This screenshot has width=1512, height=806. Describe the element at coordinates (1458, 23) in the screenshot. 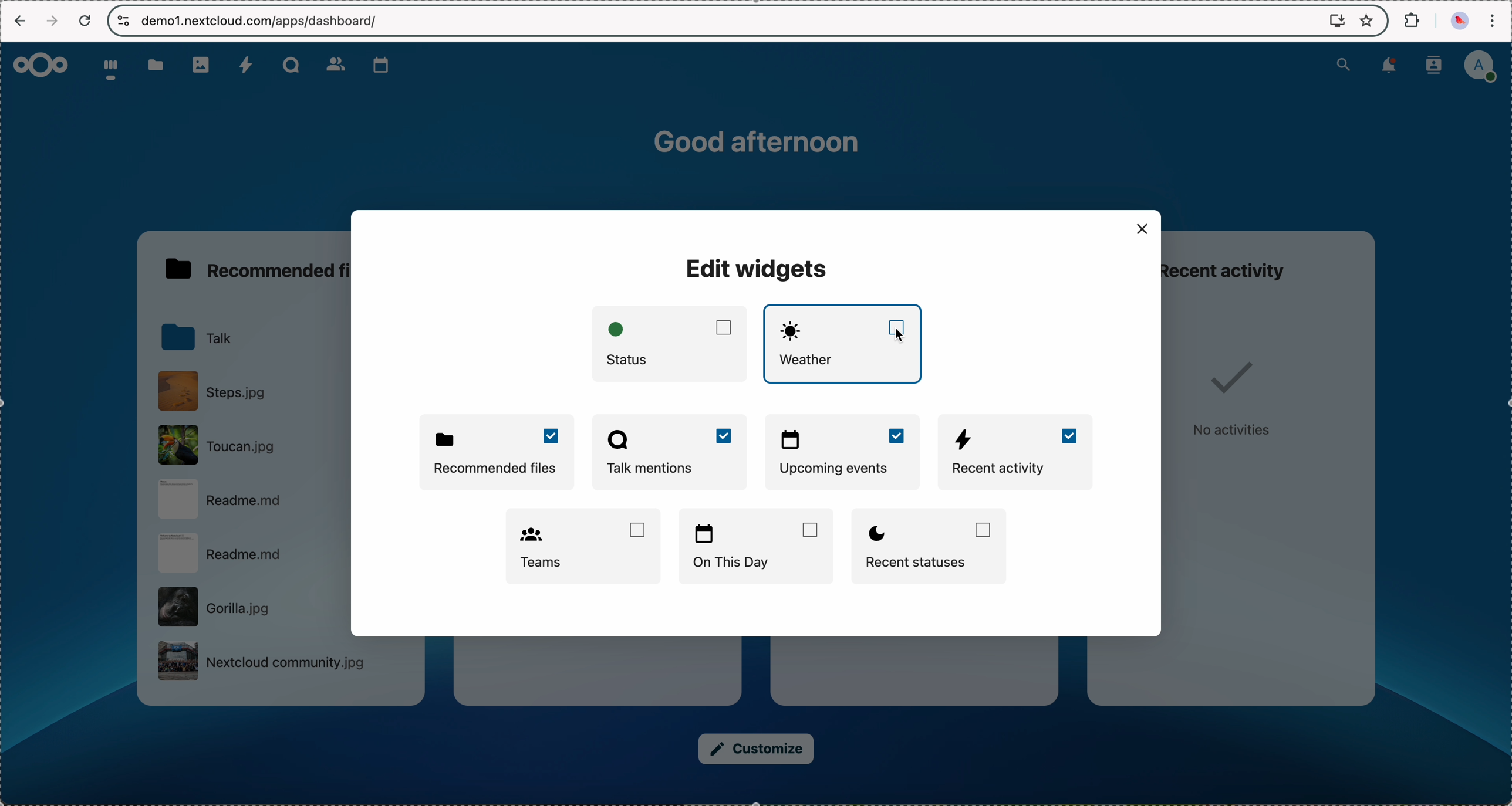

I see `profile picture` at that location.